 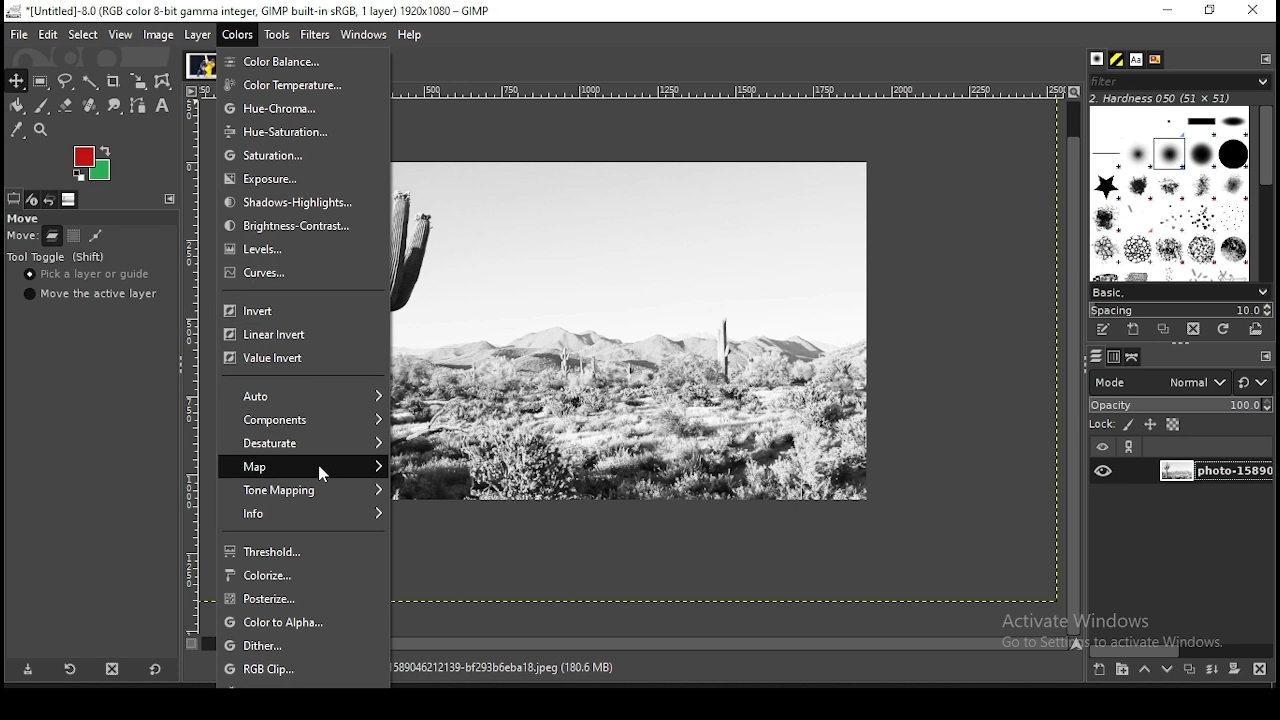 I want to click on filter brushes, so click(x=1180, y=81).